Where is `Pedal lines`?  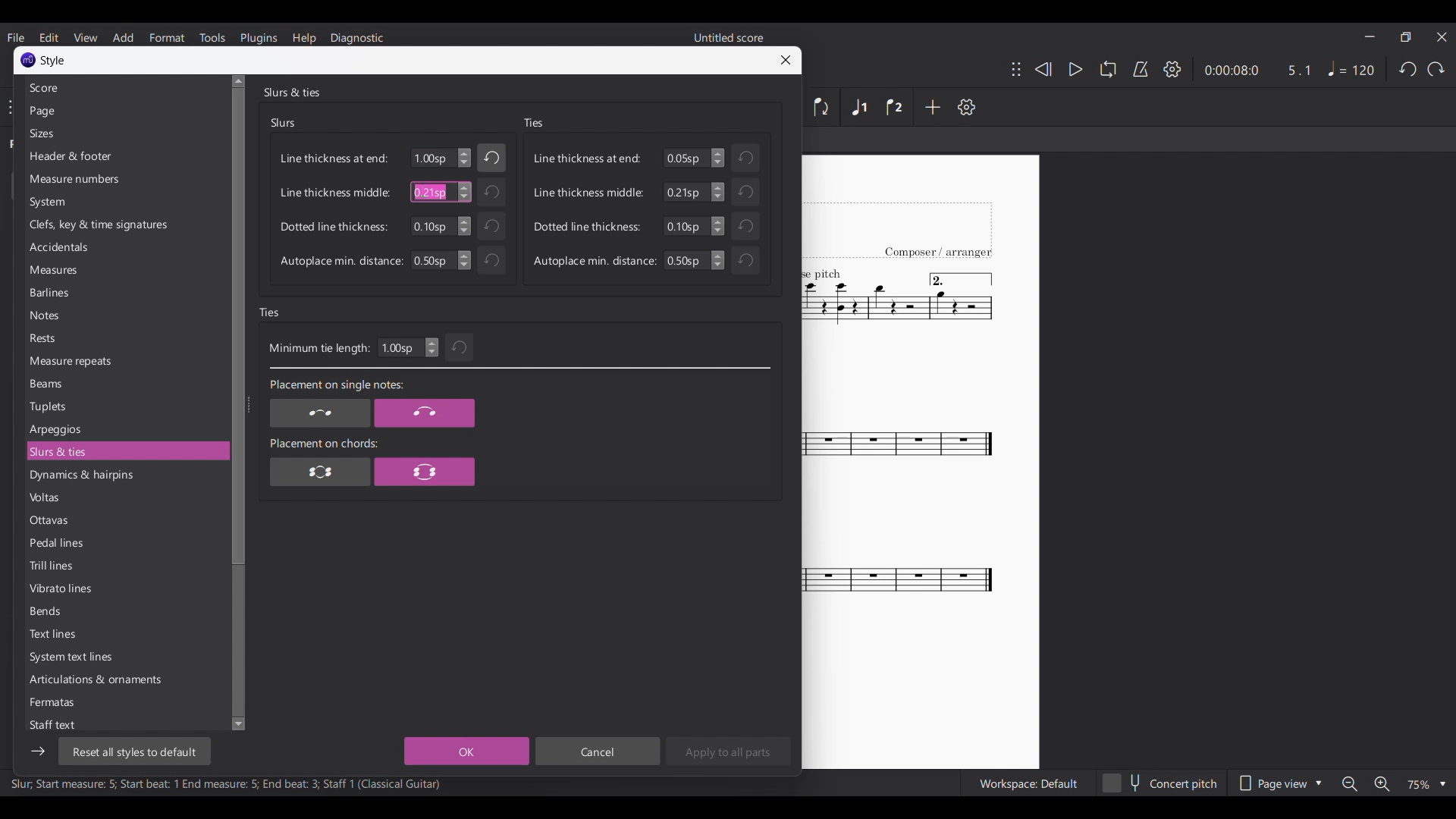
Pedal lines is located at coordinates (124, 542).